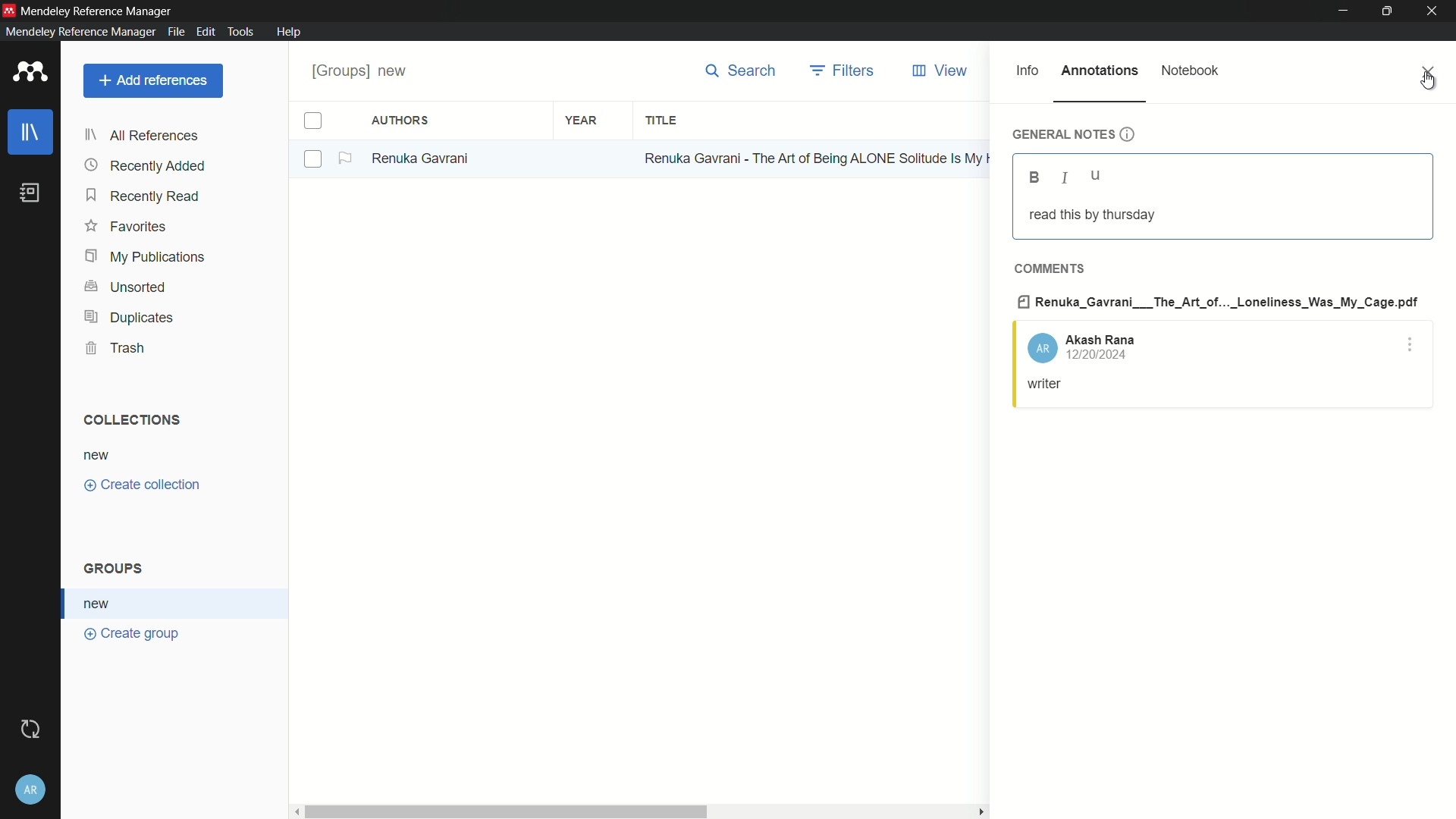 The height and width of the screenshot is (819, 1456). What do you see at coordinates (32, 789) in the screenshot?
I see `account and help` at bounding box center [32, 789].